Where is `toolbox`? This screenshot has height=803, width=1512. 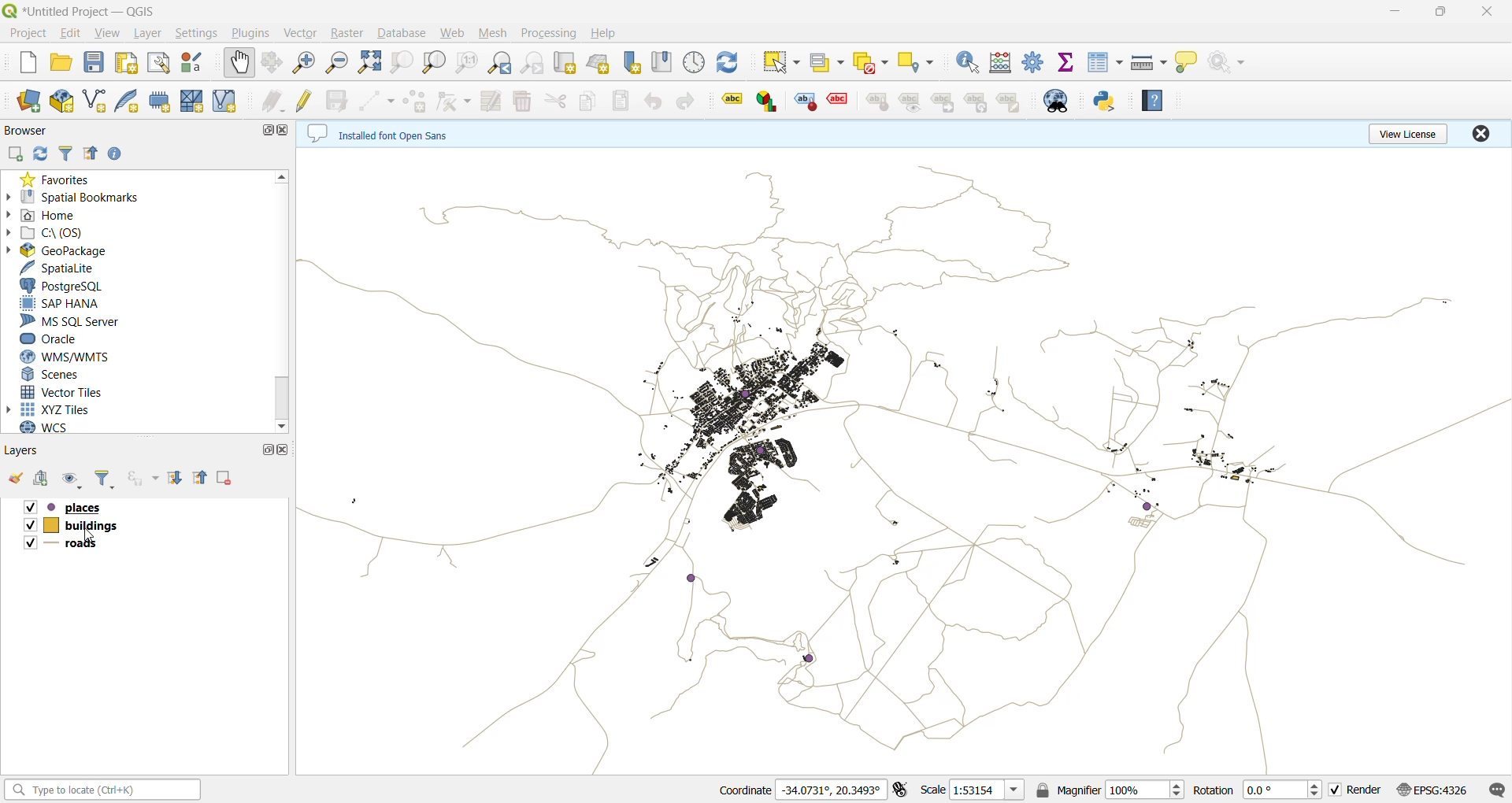 toolbox is located at coordinates (1035, 62).